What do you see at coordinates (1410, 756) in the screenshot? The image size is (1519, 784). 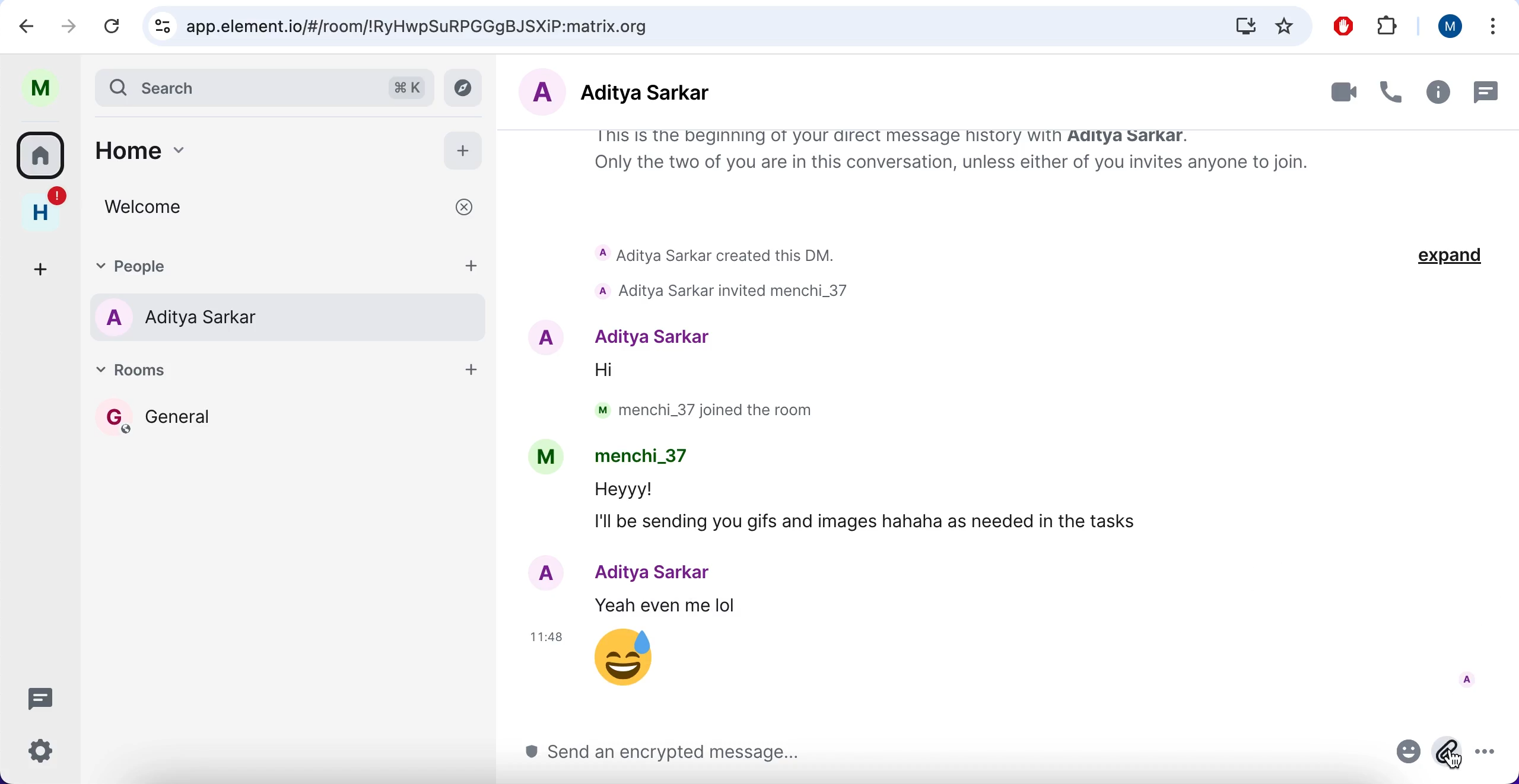 I see `emoji` at bounding box center [1410, 756].